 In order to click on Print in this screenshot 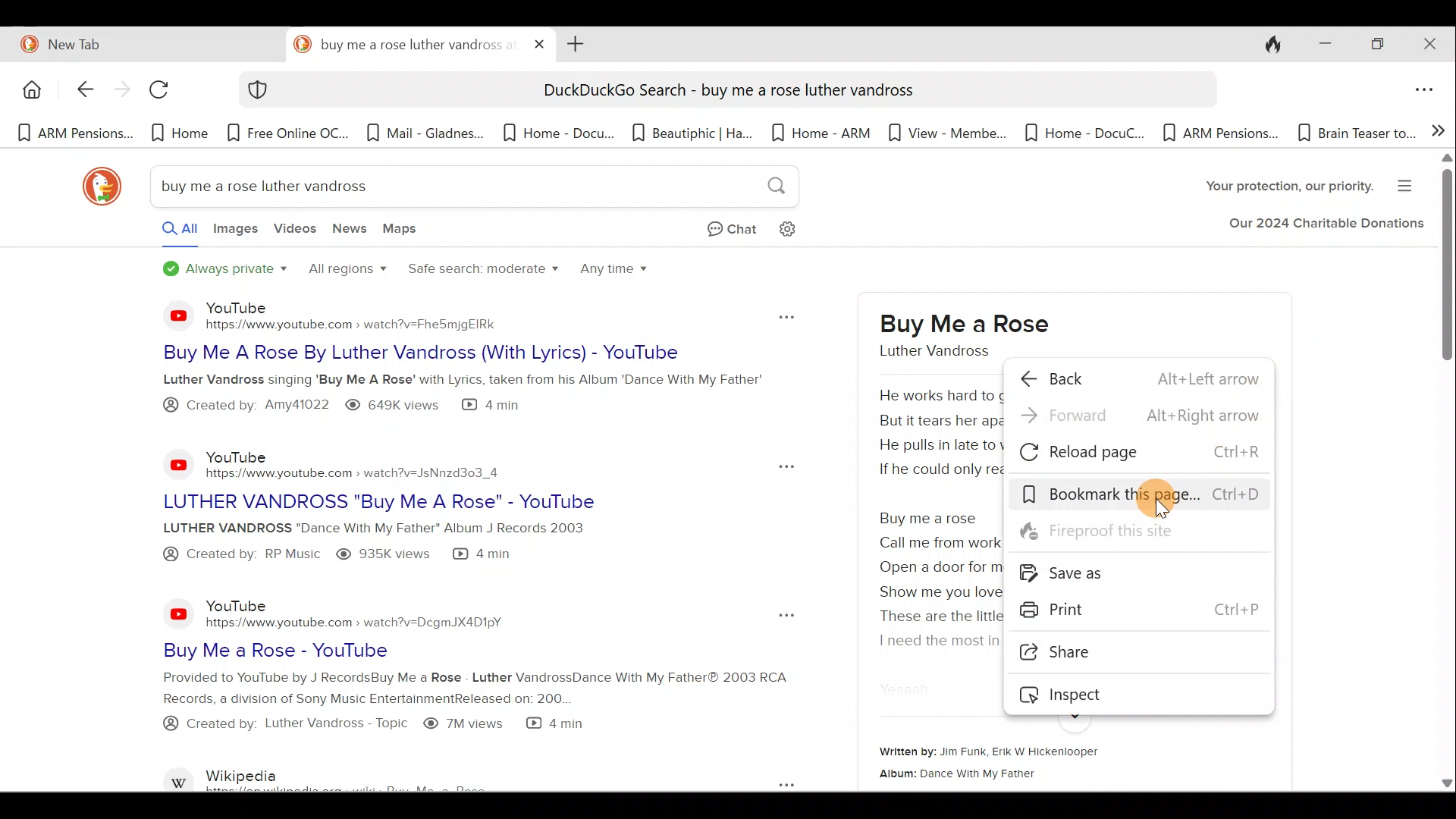, I will do `click(1144, 610)`.